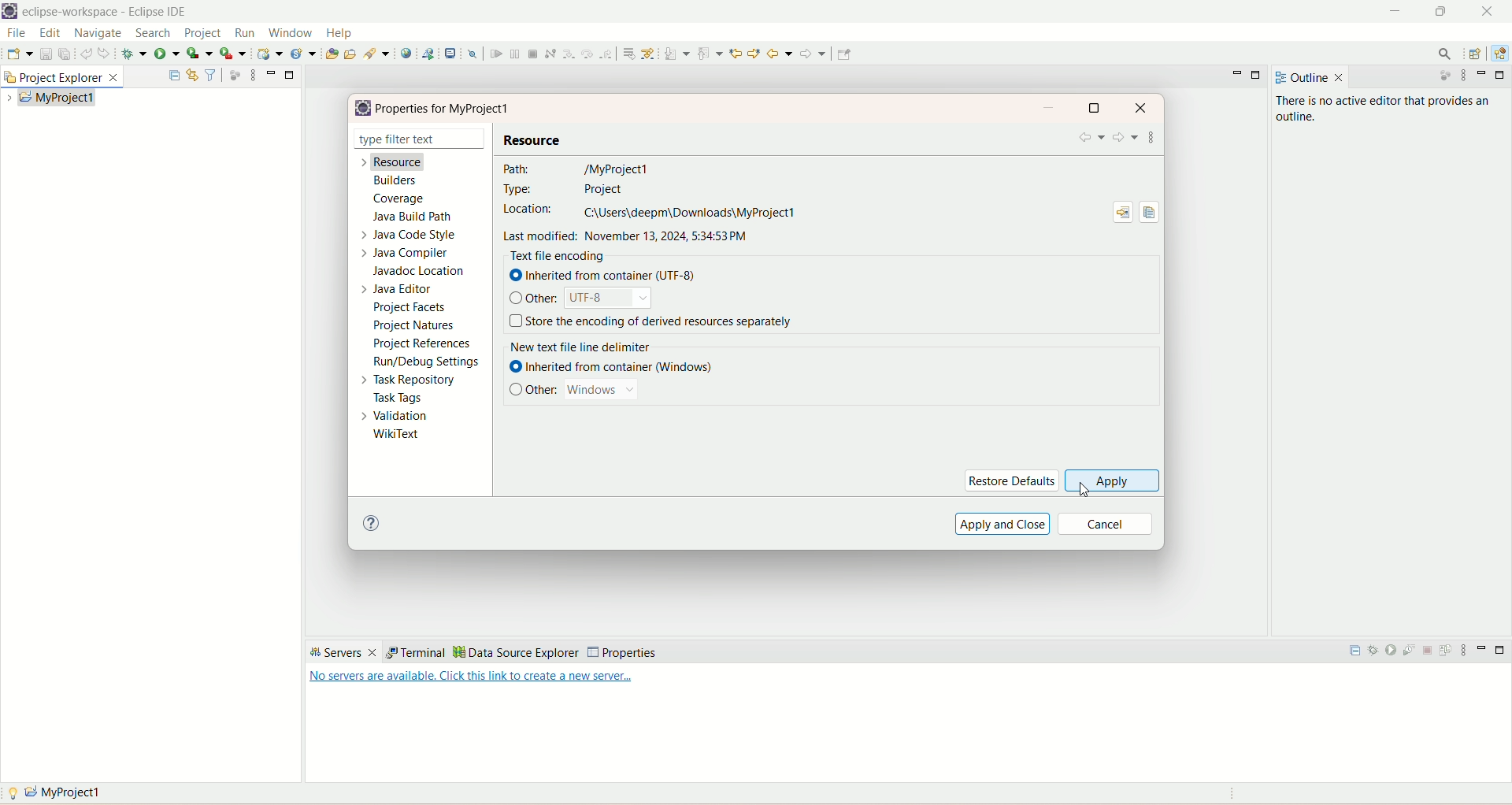  I want to click on create a new java servlet, so click(303, 54).